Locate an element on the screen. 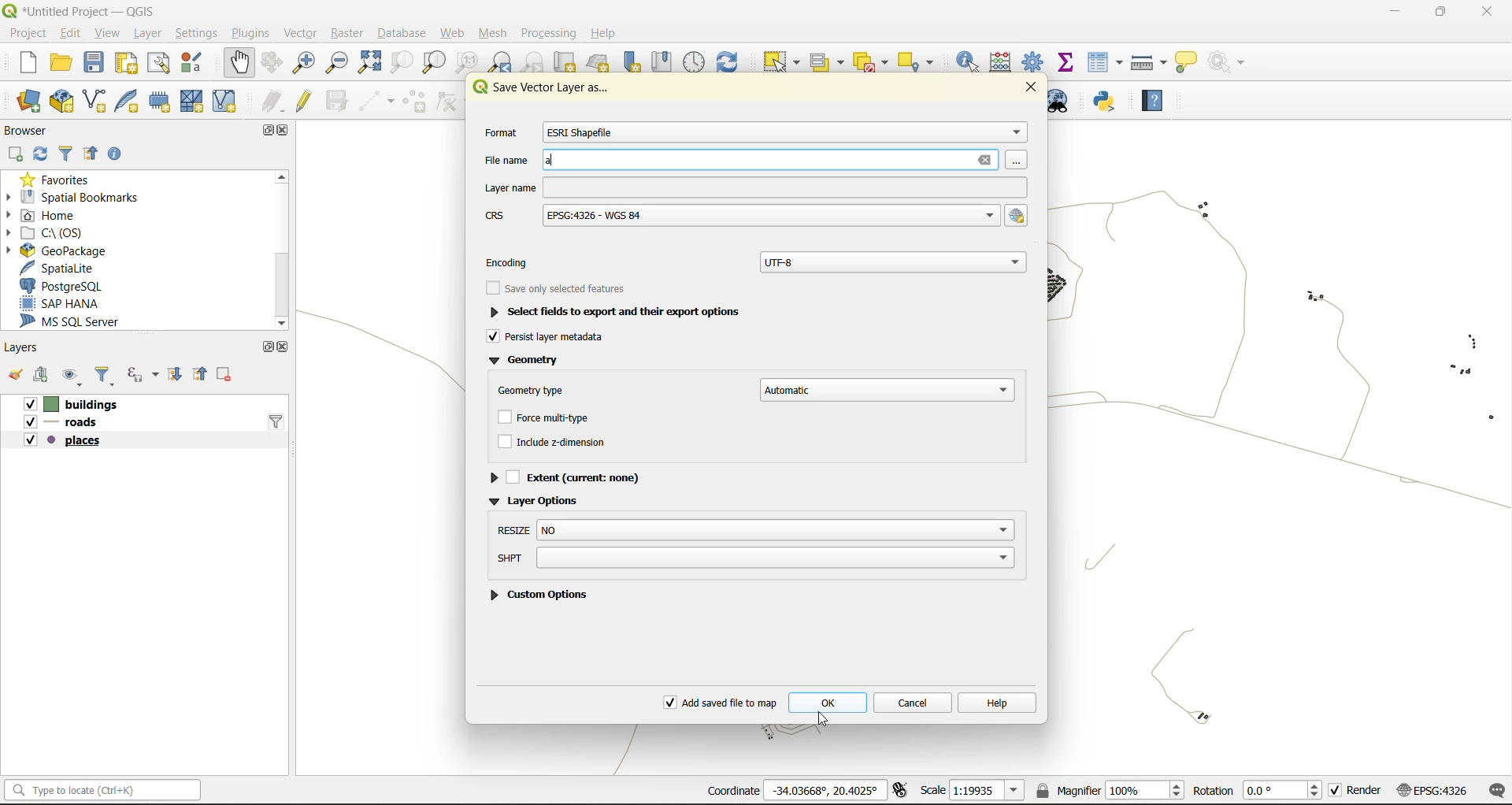  crs is located at coordinates (1432, 792).